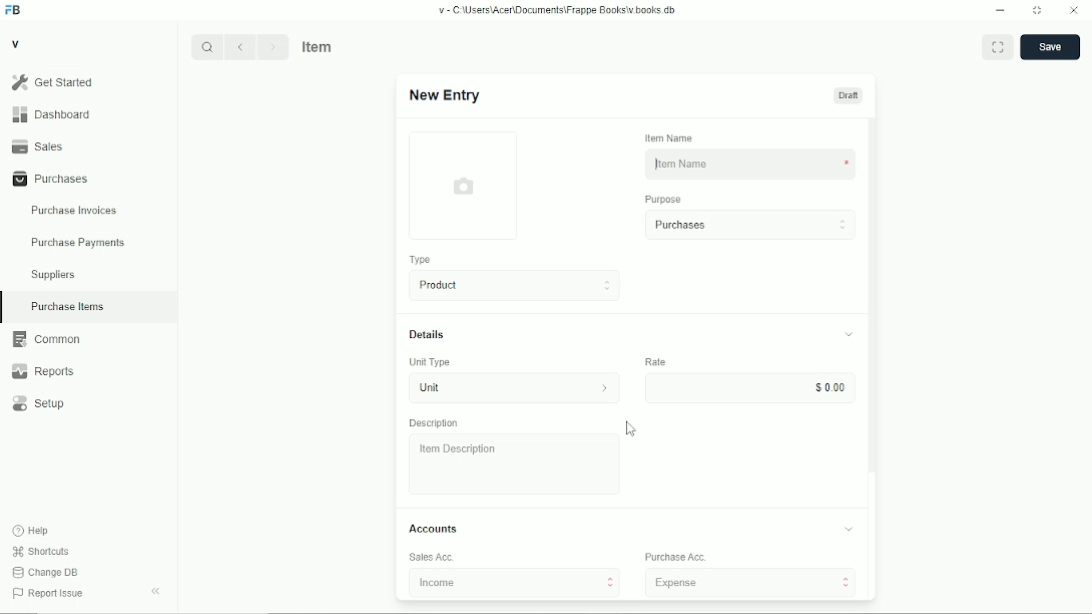 This screenshot has height=614, width=1092. Describe the element at coordinates (849, 529) in the screenshot. I see `toggle expand/collapse` at that location.